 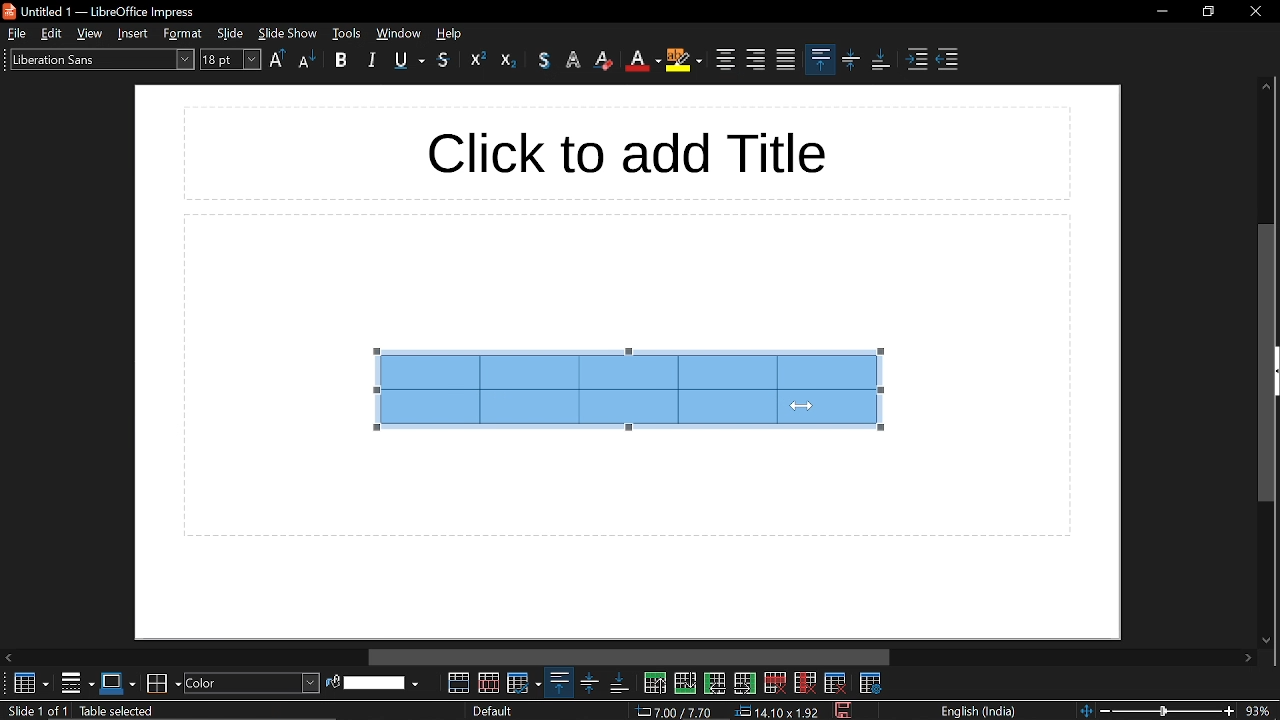 I want to click on insert column before, so click(x=715, y=683).